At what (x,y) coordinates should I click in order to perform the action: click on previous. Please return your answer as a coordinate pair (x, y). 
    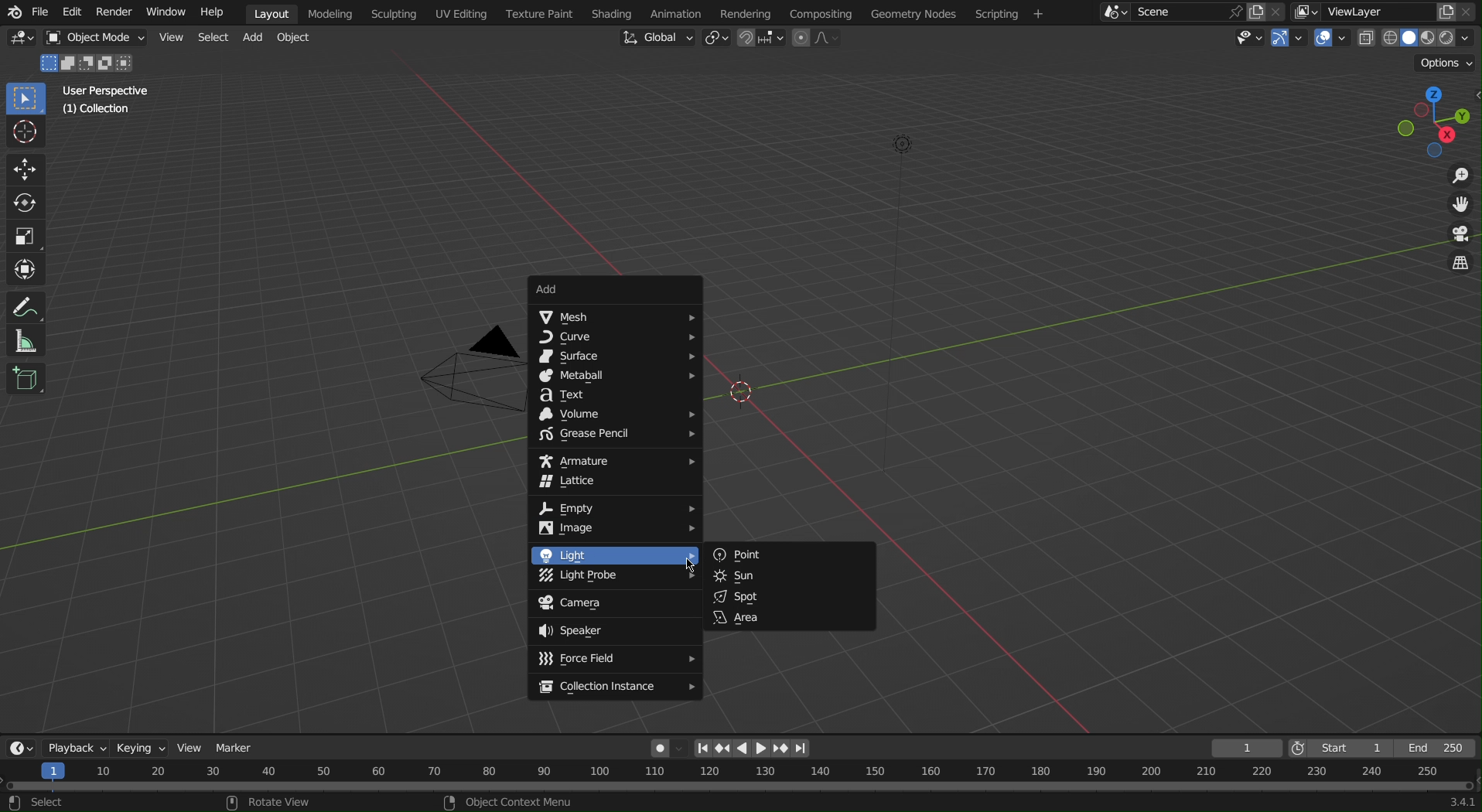
    Looking at the image, I should click on (702, 749).